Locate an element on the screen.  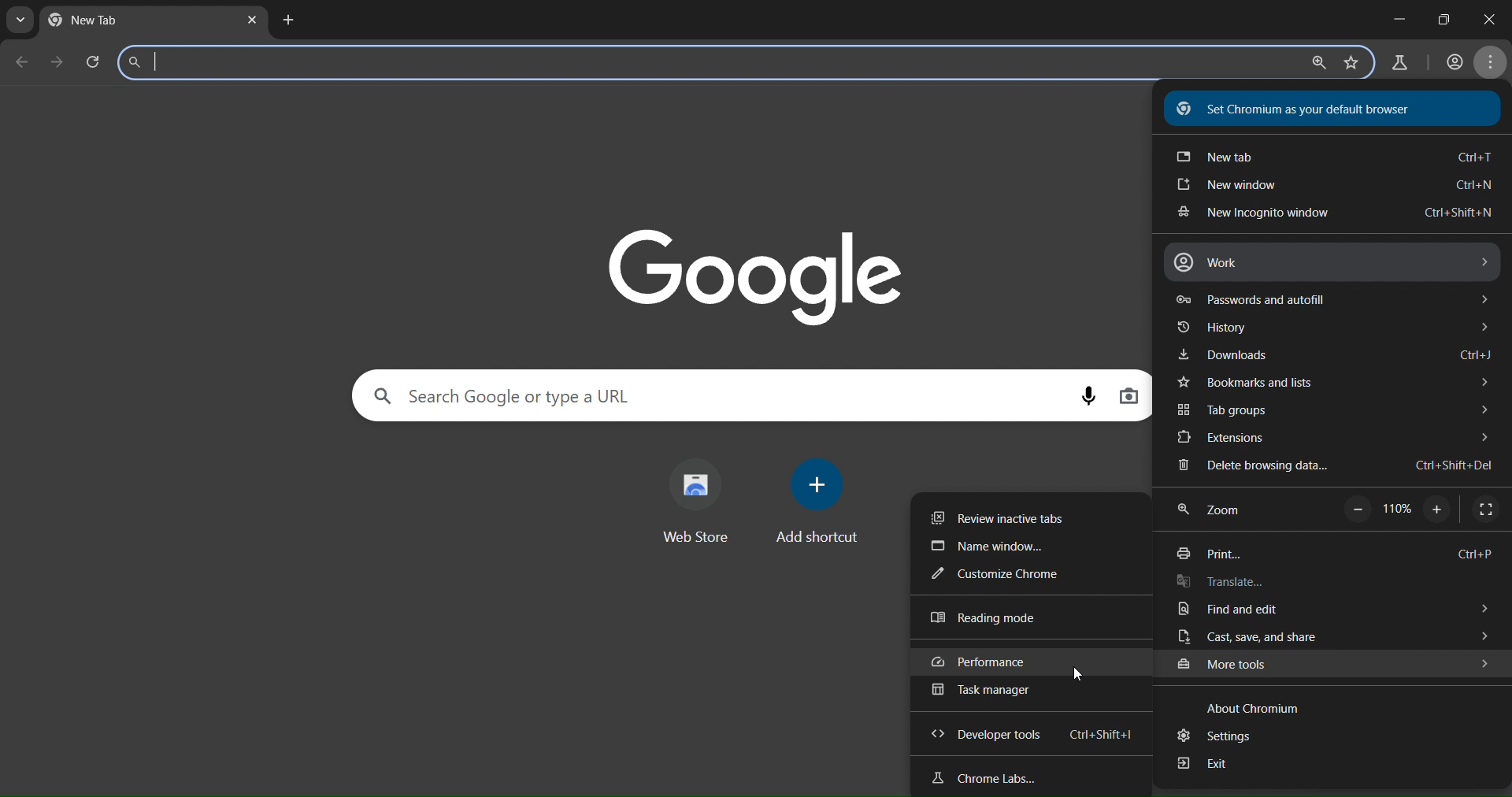
more tools is located at coordinates (1334, 665).